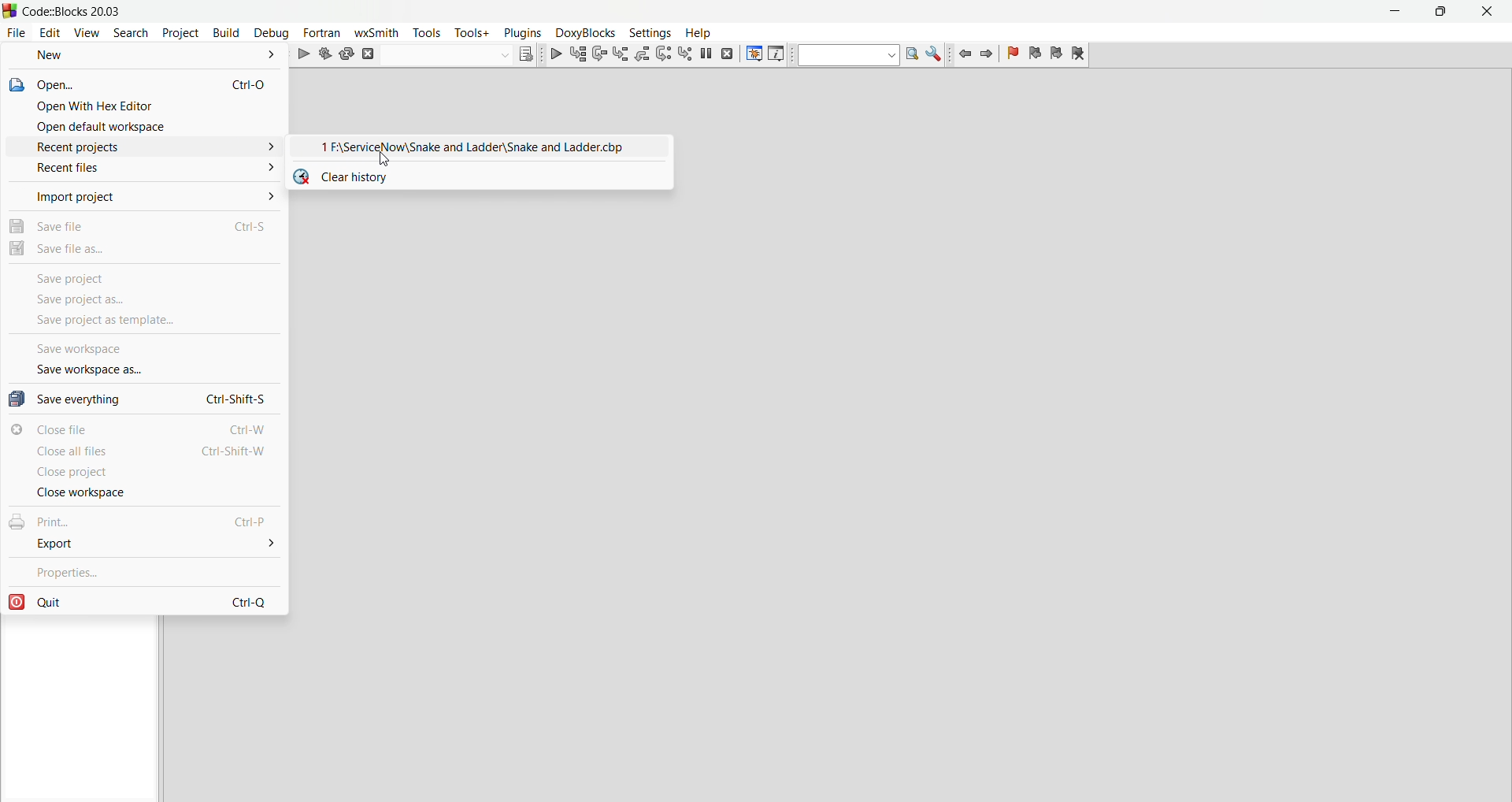  Describe the element at coordinates (584, 32) in the screenshot. I see `` at that location.